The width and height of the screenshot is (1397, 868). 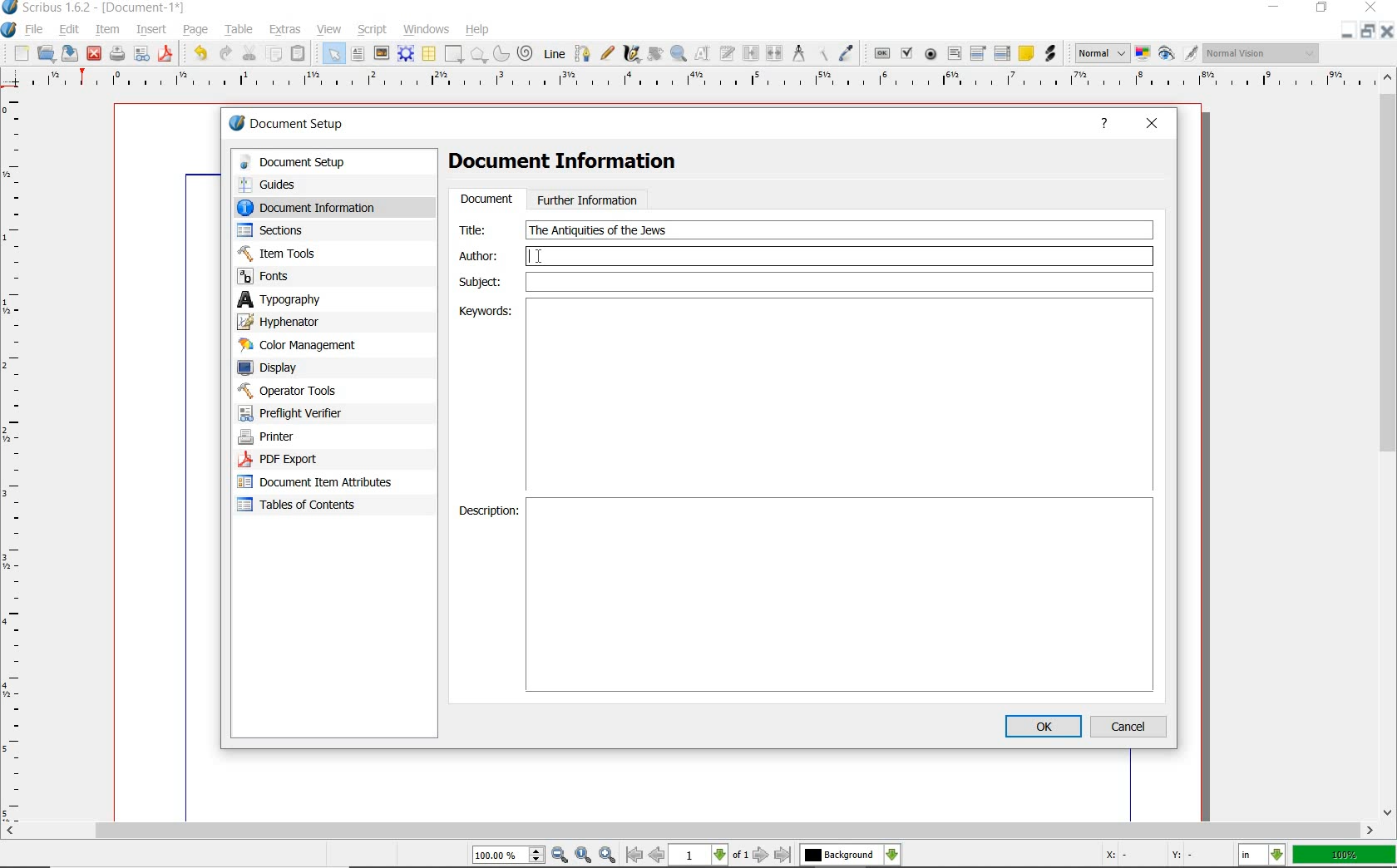 I want to click on edit text with story editor, so click(x=728, y=55).